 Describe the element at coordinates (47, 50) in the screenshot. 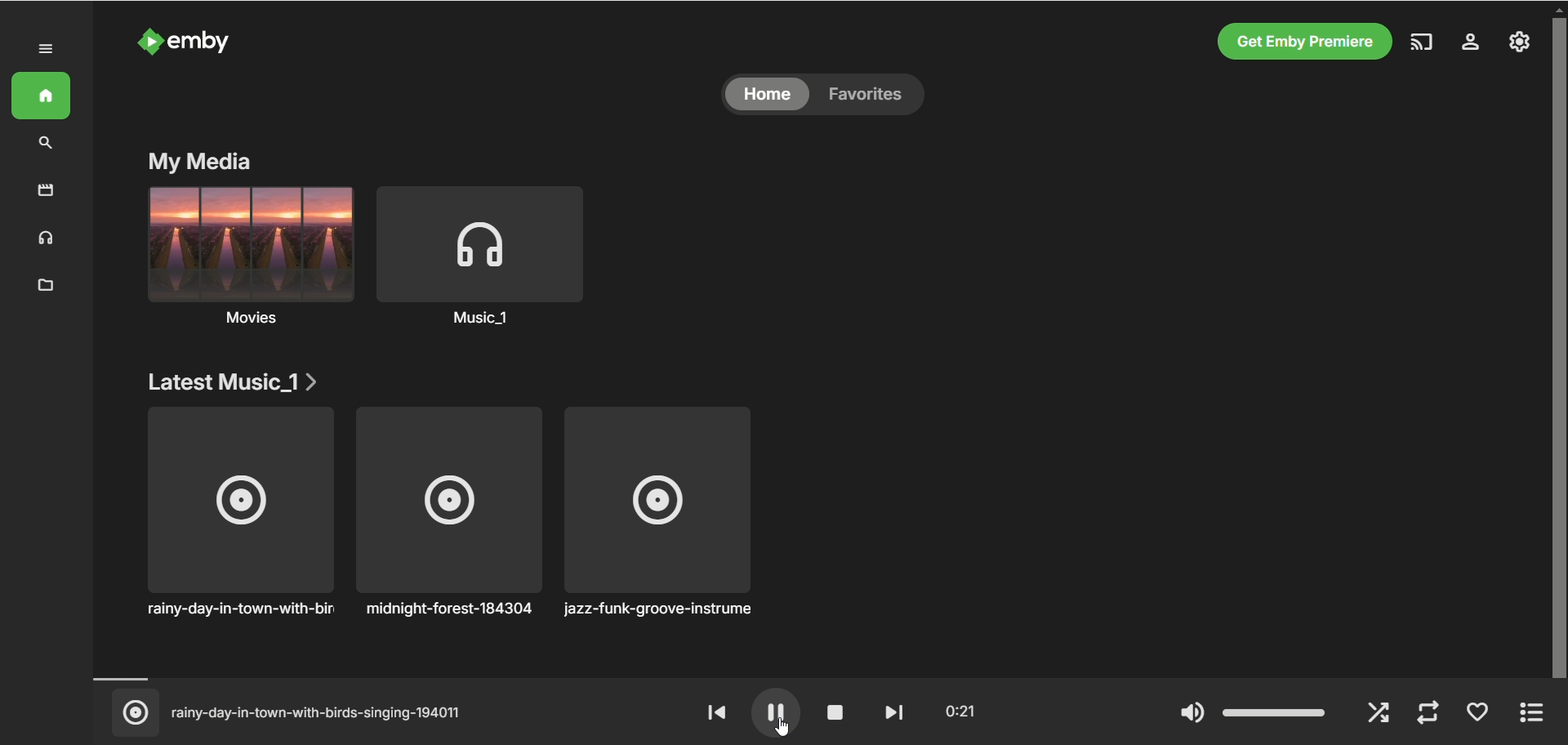

I see `expand` at that location.